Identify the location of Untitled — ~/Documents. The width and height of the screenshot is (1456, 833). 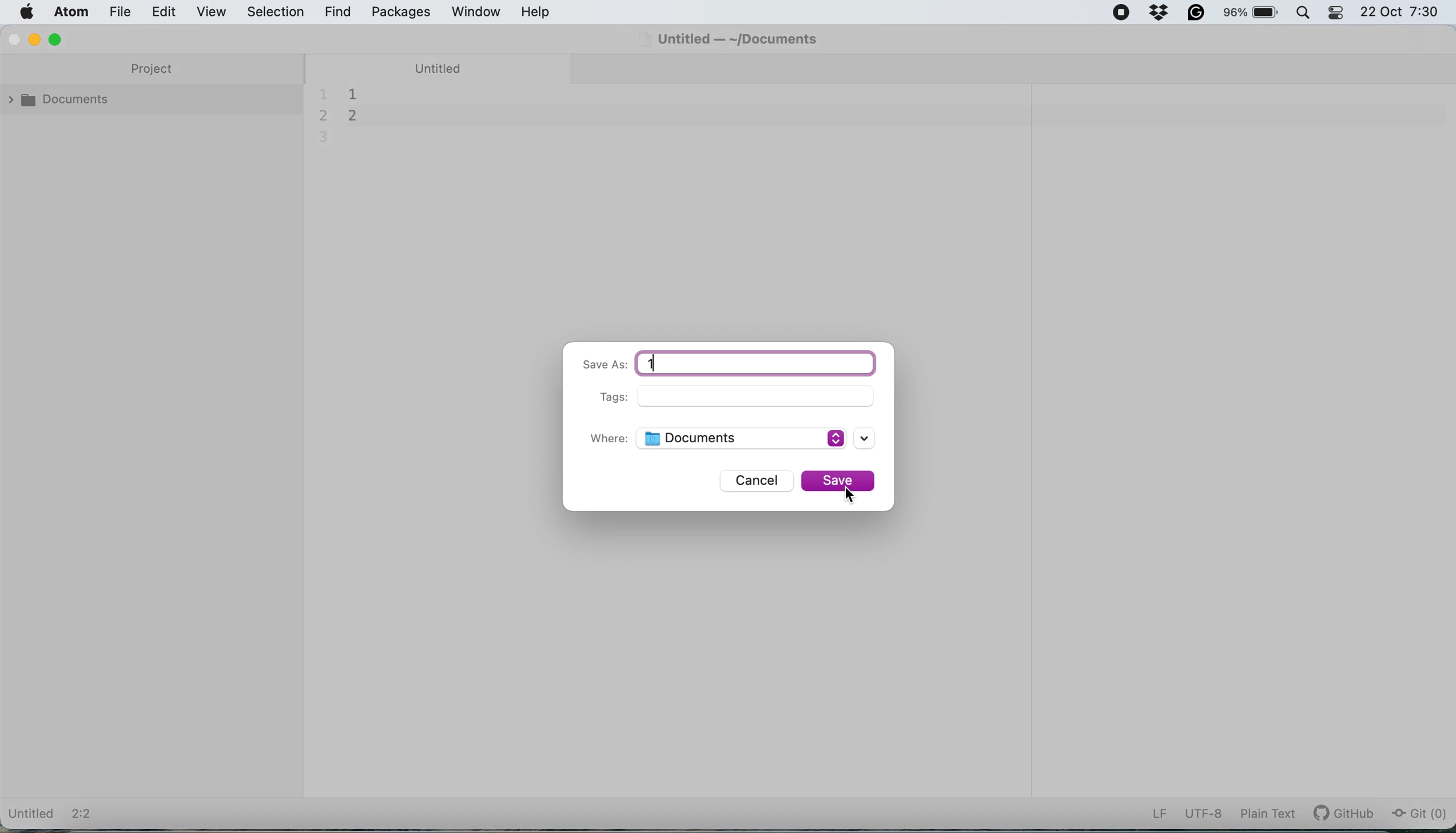
(734, 37).